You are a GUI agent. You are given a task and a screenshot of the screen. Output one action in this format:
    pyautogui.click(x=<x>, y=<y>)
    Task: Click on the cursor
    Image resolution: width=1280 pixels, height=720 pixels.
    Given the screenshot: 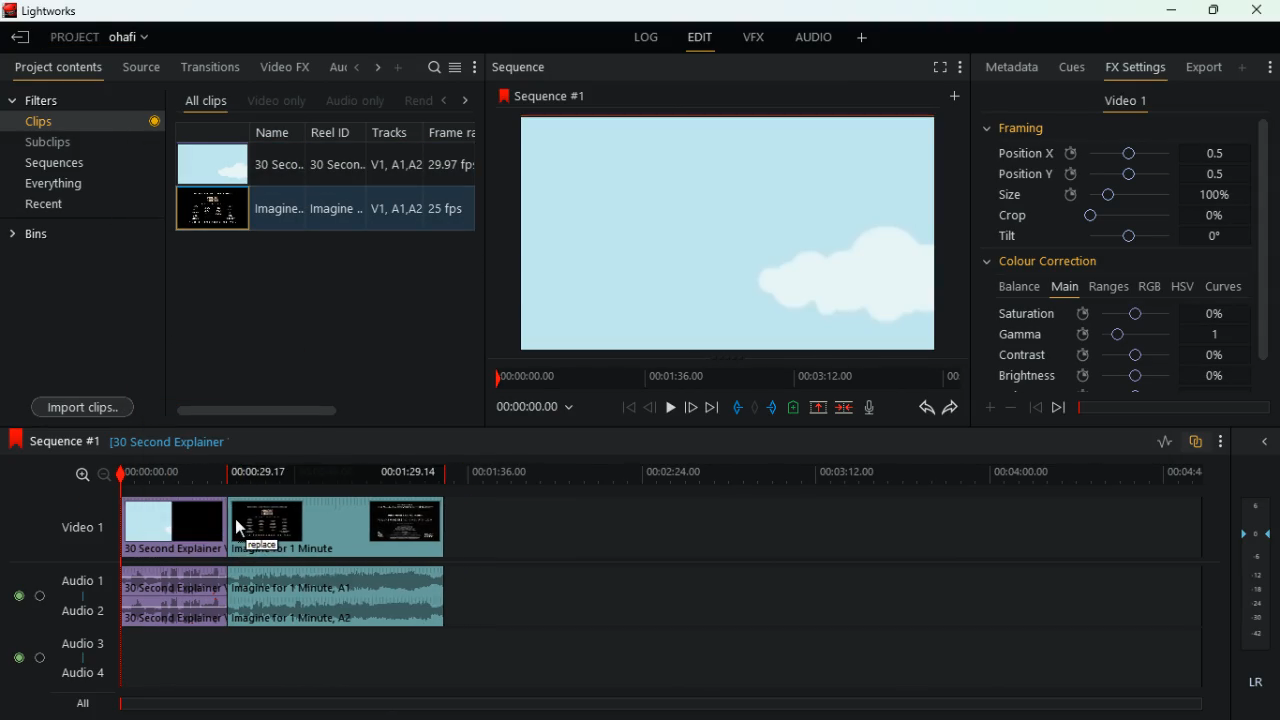 What is the action you would take?
    pyautogui.click(x=240, y=527)
    